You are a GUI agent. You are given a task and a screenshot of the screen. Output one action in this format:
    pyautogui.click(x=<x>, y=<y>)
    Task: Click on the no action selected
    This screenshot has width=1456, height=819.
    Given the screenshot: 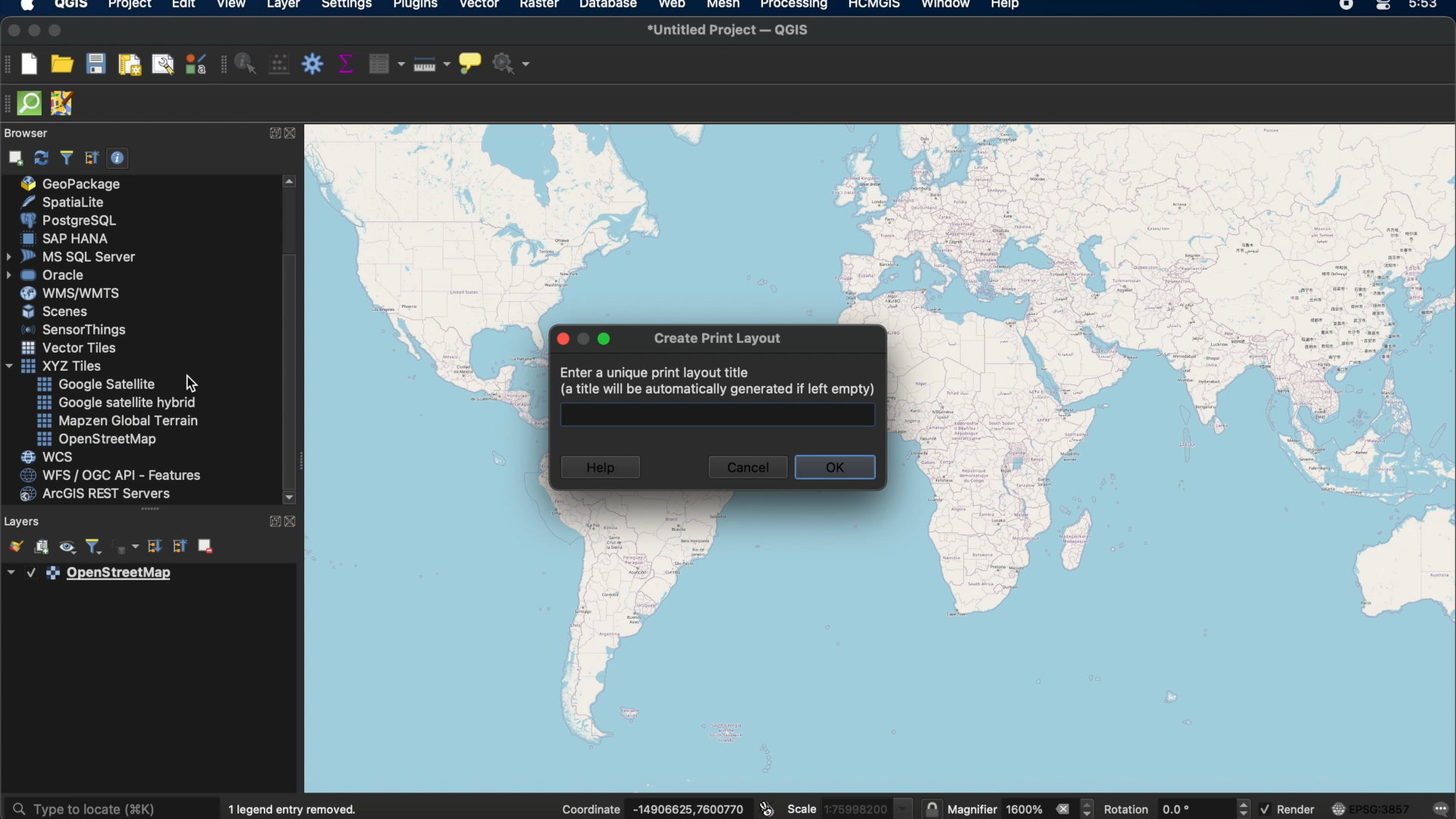 What is the action you would take?
    pyautogui.click(x=516, y=65)
    